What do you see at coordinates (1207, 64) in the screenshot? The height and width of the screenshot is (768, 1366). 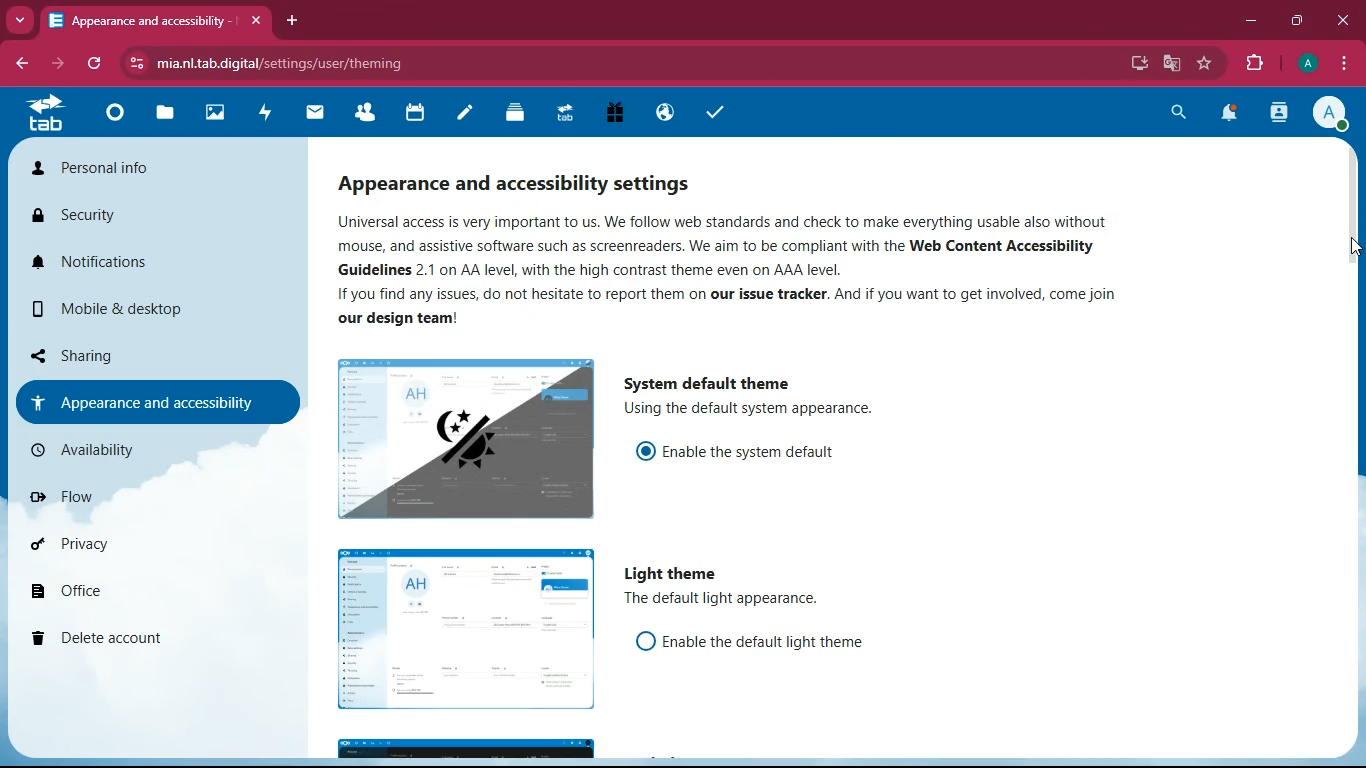 I see `favourite` at bounding box center [1207, 64].